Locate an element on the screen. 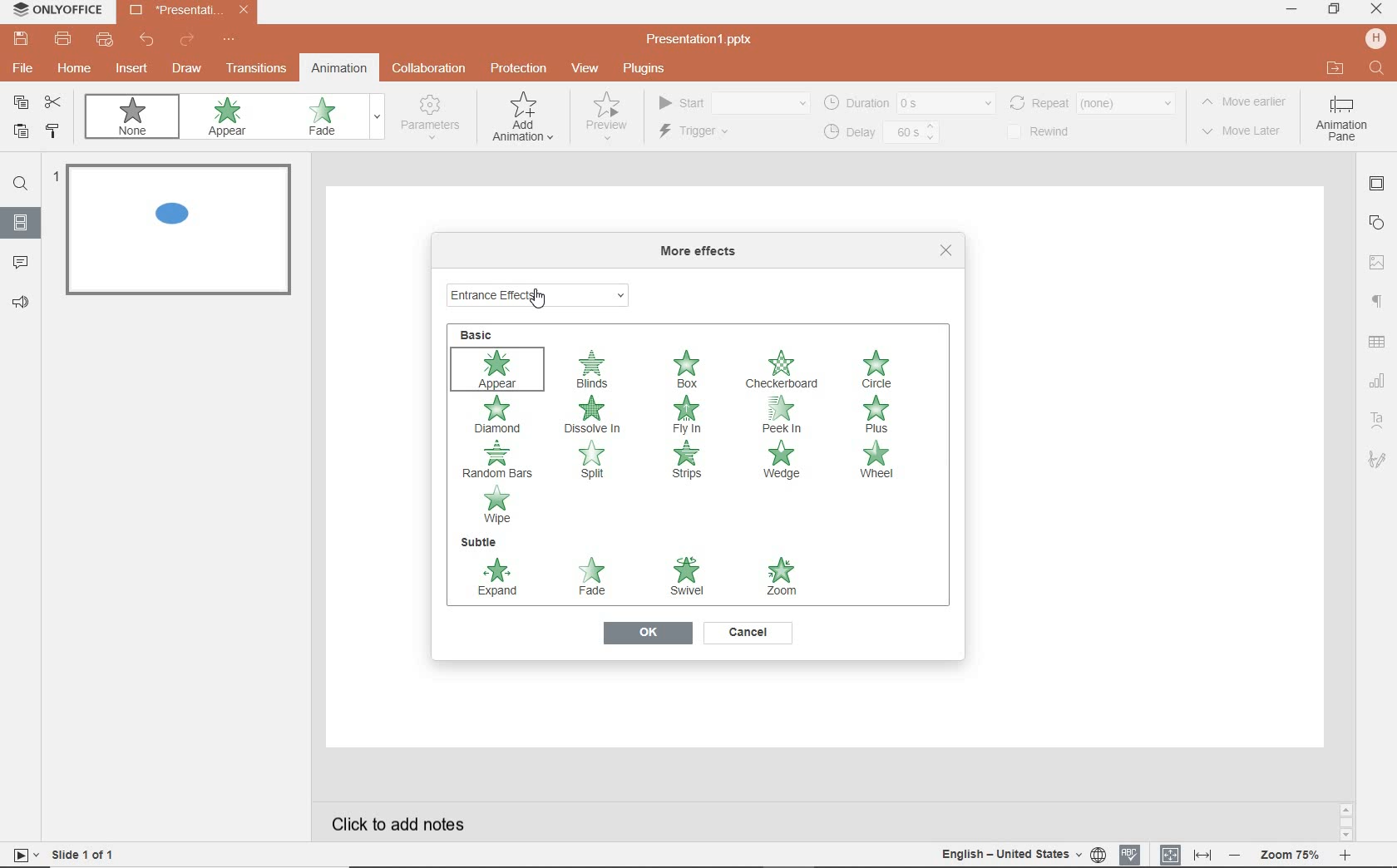 The height and width of the screenshot is (868, 1397). collaboration is located at coordinates (431, 69).